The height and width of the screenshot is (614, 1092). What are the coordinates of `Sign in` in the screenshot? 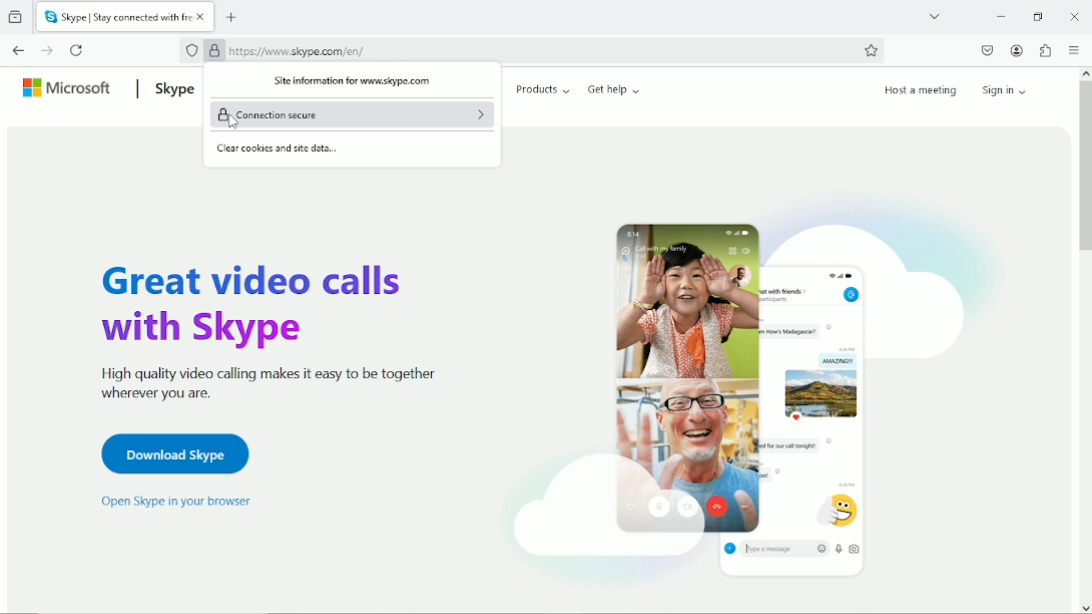 It's located at (1008, 89).